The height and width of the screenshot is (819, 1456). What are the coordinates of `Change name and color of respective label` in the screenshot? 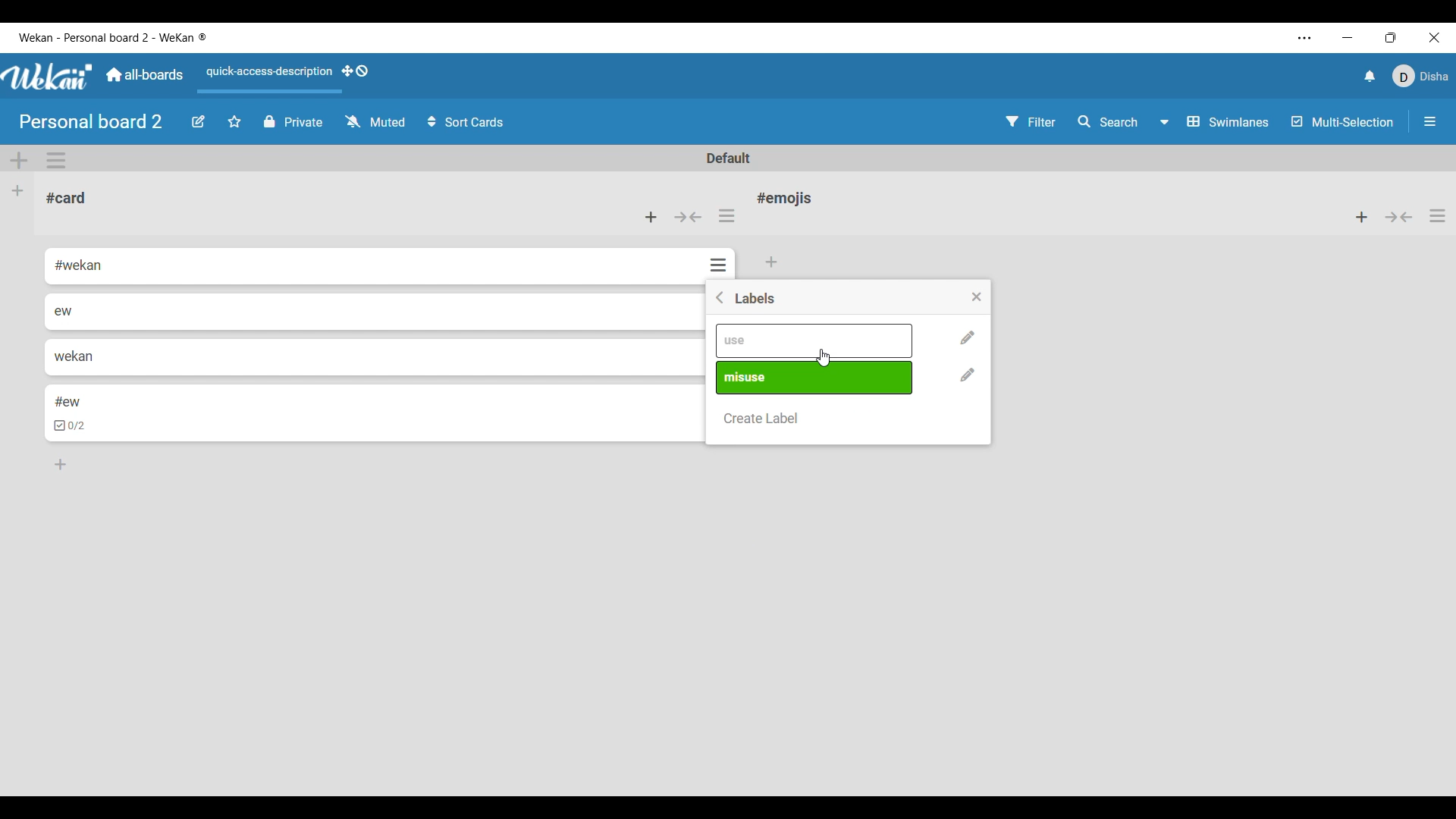 It's located at (968, 375).